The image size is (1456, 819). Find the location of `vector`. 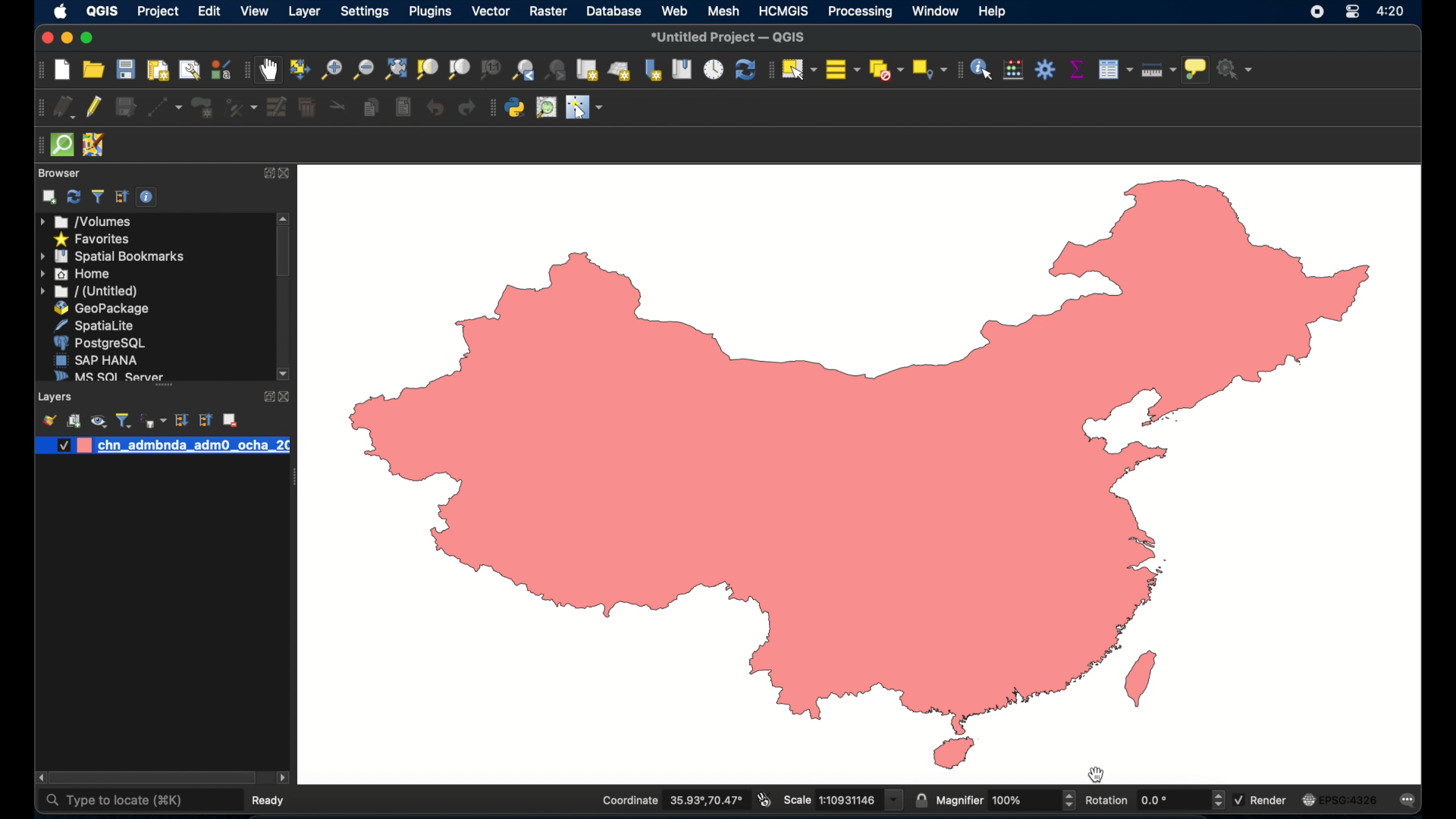

vector is located at coordinates (491, 11).